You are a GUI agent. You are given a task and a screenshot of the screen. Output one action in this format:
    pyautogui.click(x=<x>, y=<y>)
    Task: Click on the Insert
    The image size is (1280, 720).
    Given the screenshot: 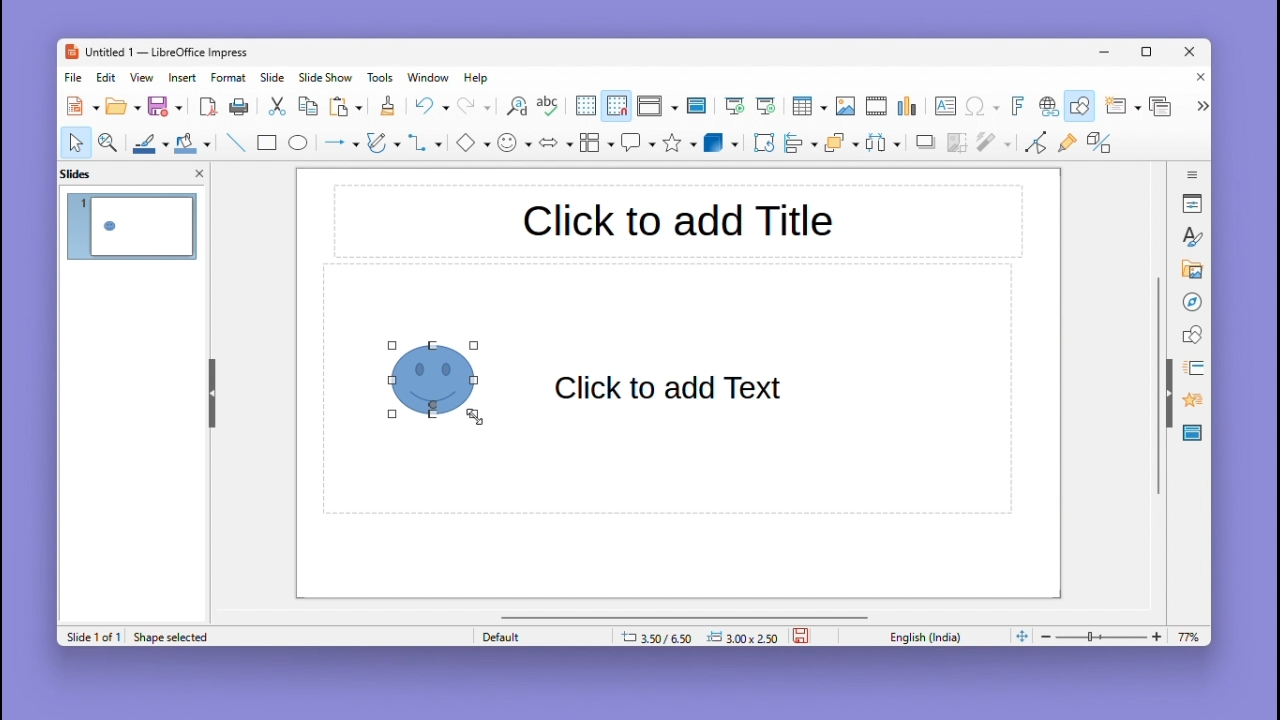 What is the action you would take?
    pyautogui.click(x=185, y=77)
    